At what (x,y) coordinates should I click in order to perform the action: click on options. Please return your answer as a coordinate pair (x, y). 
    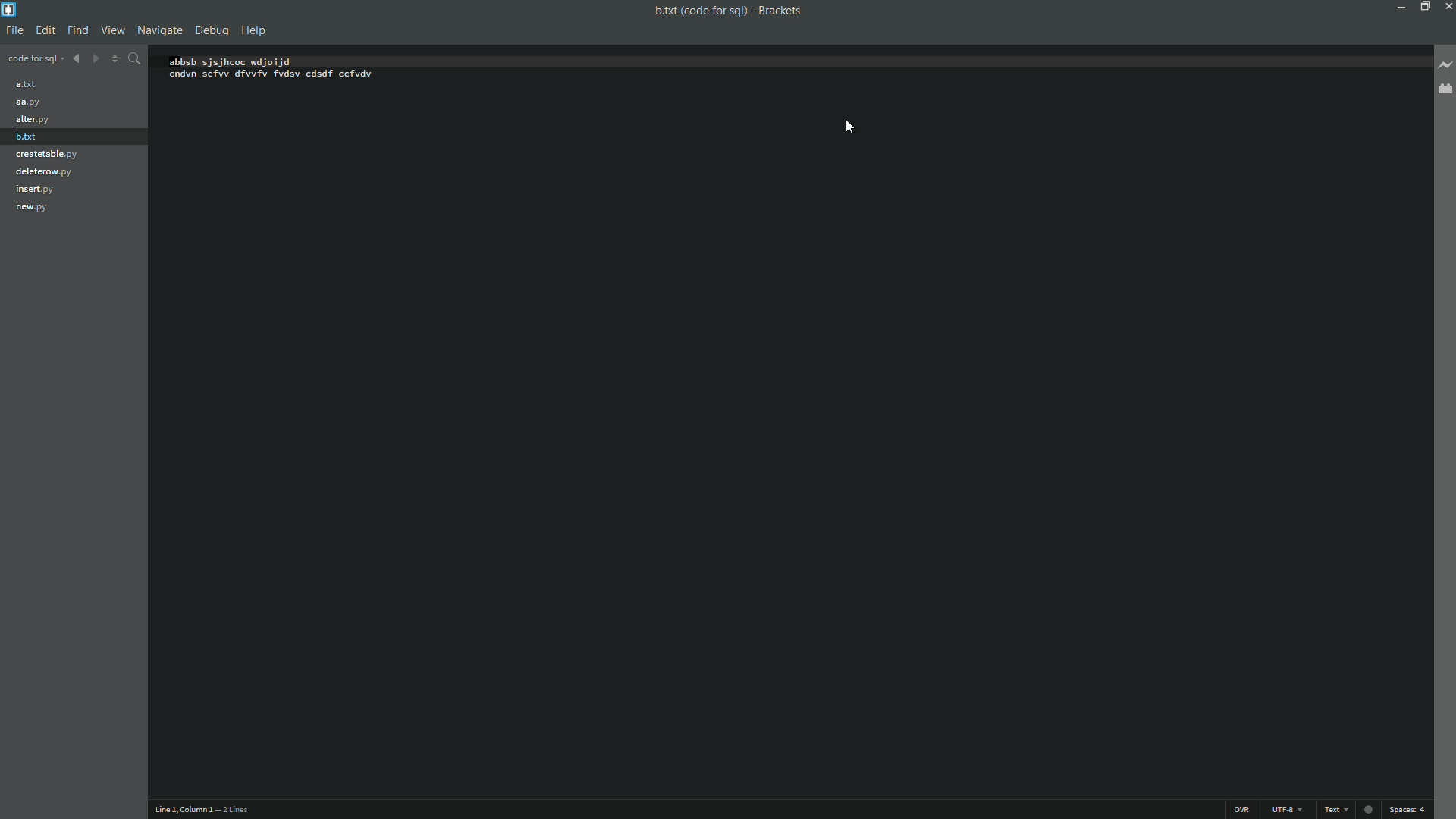
    Looking at the image, I should click on (115, 60).